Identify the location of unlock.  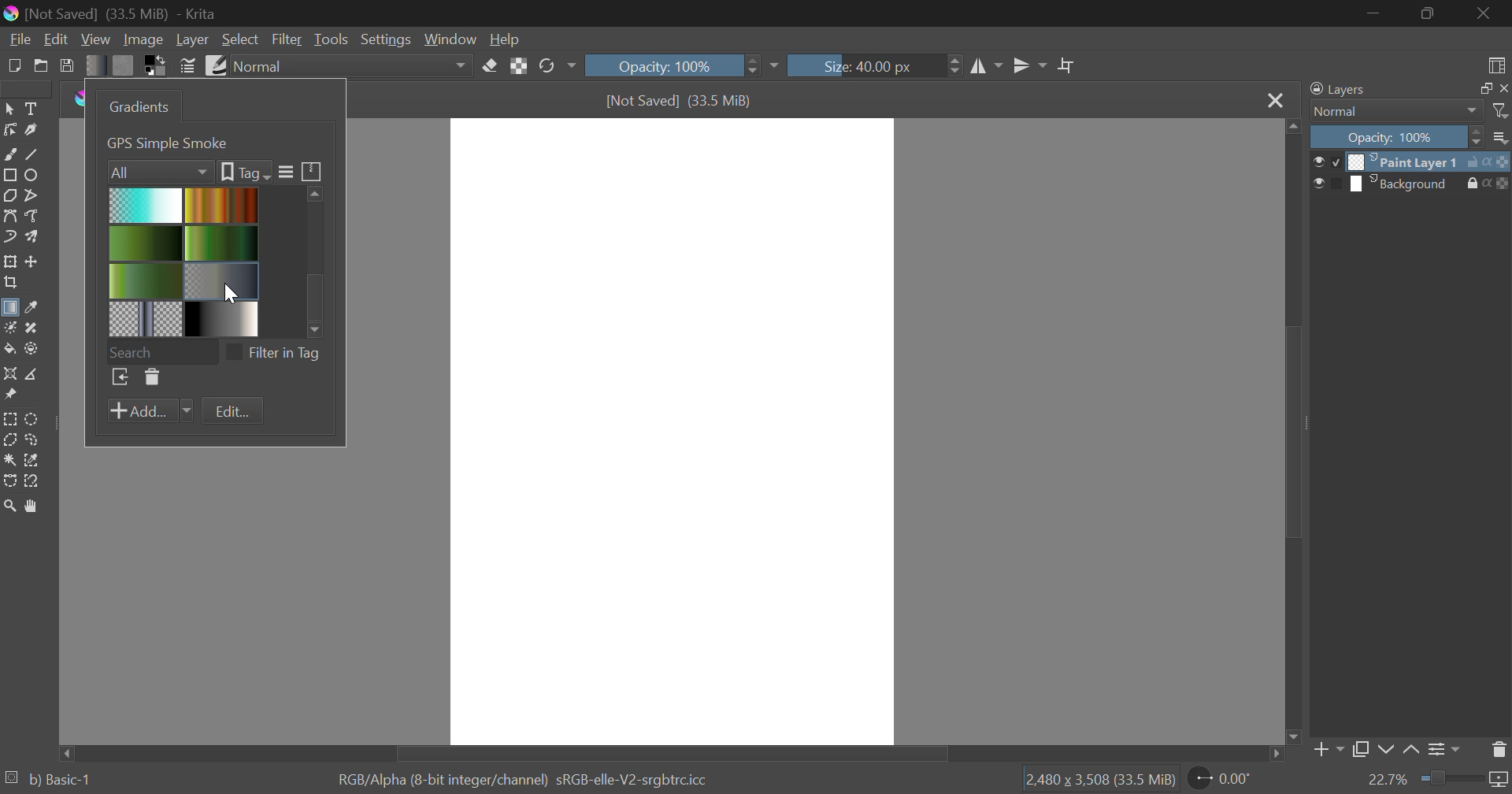
(1476, 161).